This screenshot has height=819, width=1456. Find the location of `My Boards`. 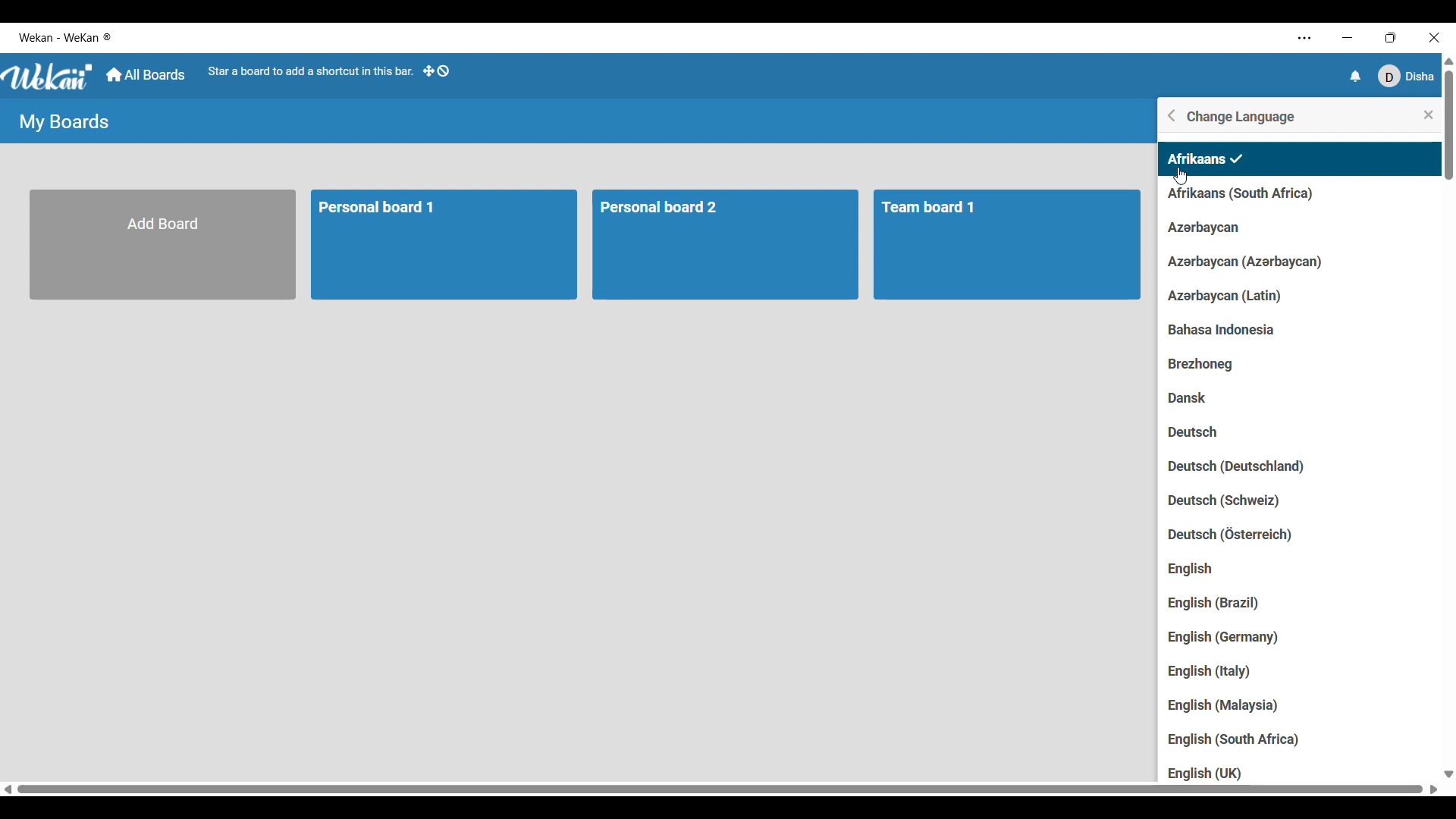

My Boards is located at coordinates (64, 122).